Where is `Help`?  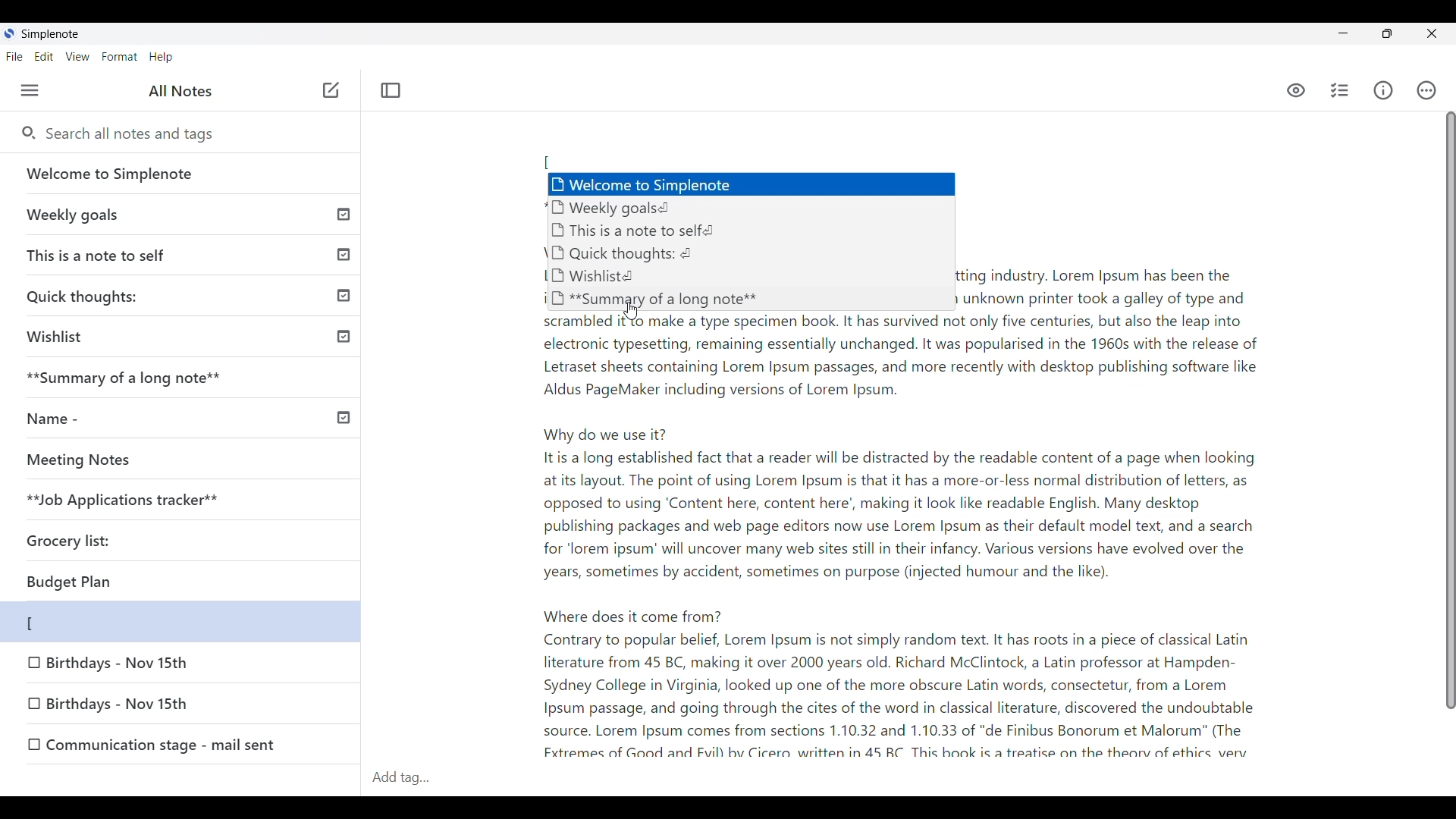
Help is located at coordinates (162, 58).